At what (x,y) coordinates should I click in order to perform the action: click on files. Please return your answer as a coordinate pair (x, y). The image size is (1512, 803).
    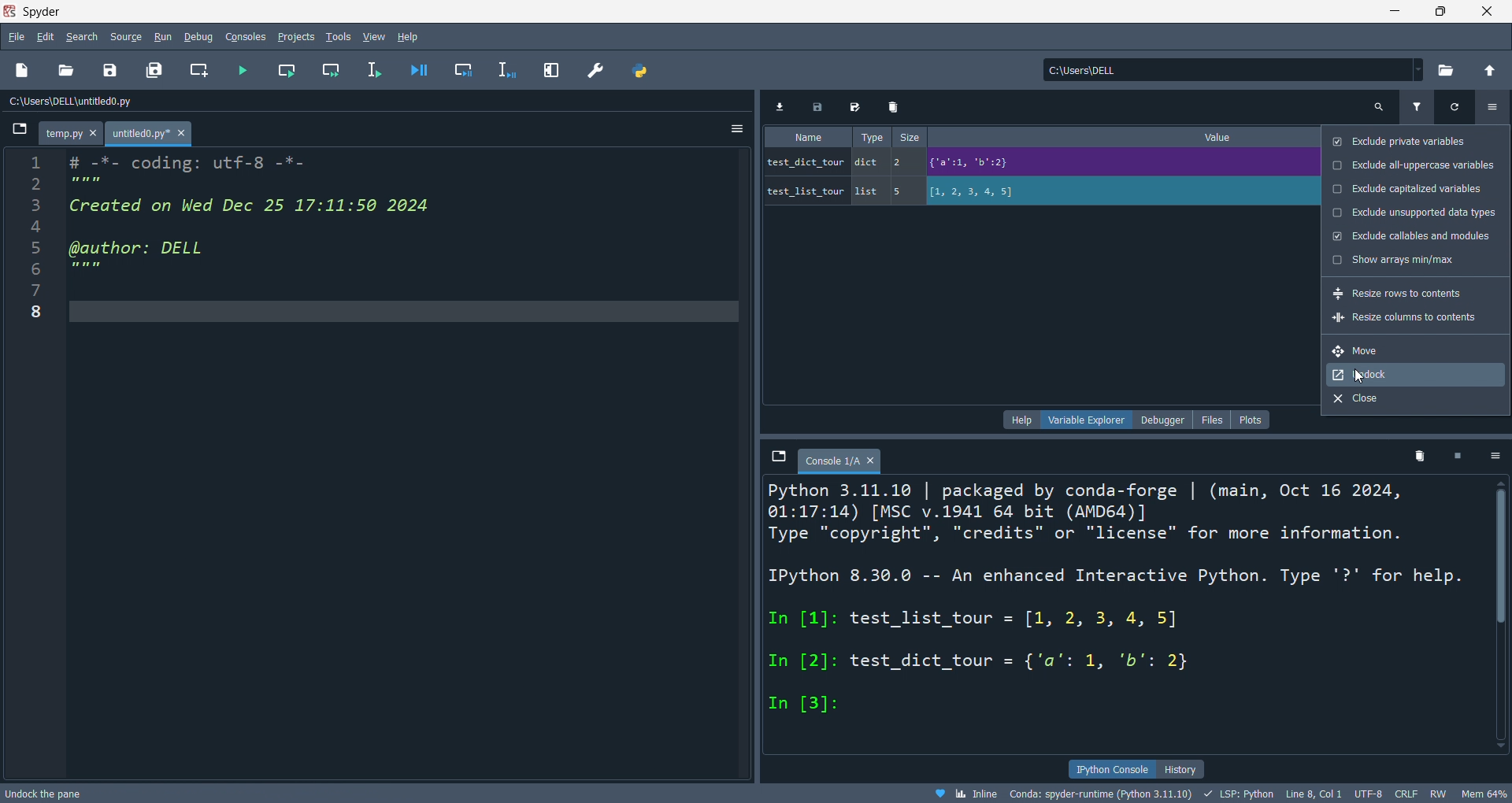
    Looking at the image, I should click on (1214, 420).